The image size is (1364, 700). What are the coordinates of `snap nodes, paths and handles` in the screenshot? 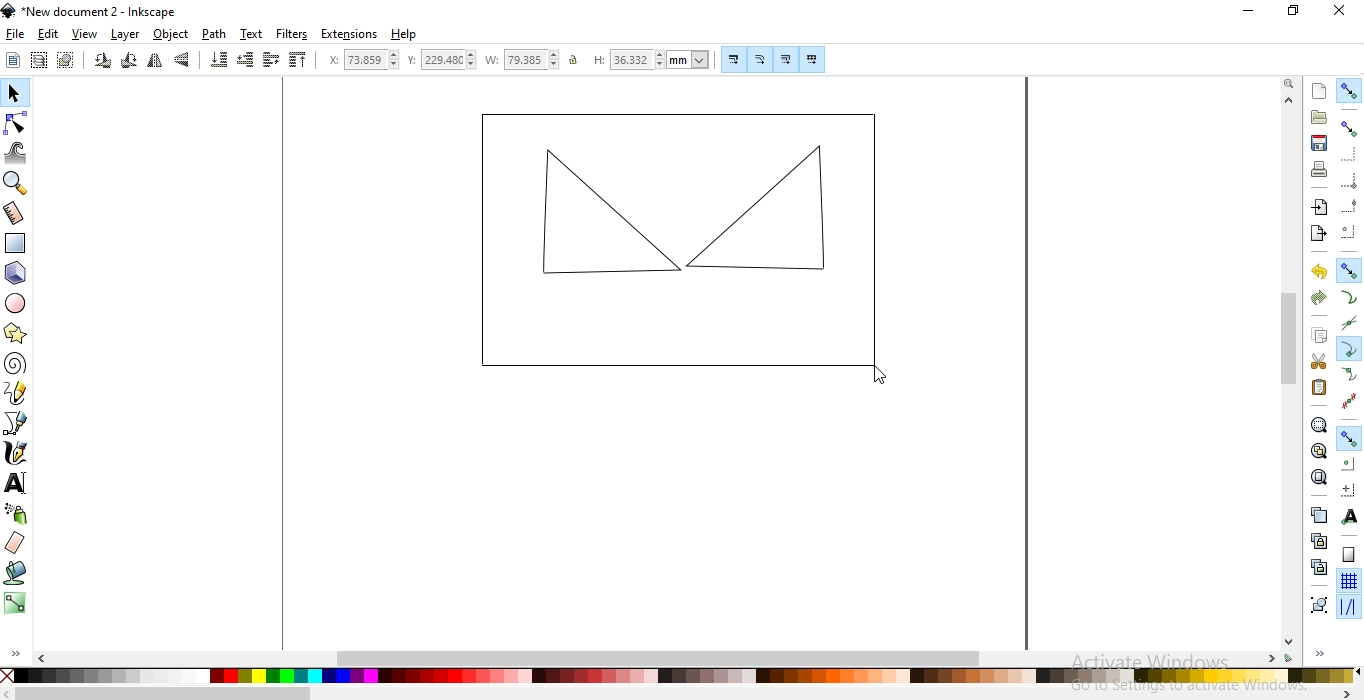 It's located at (1349, 271).